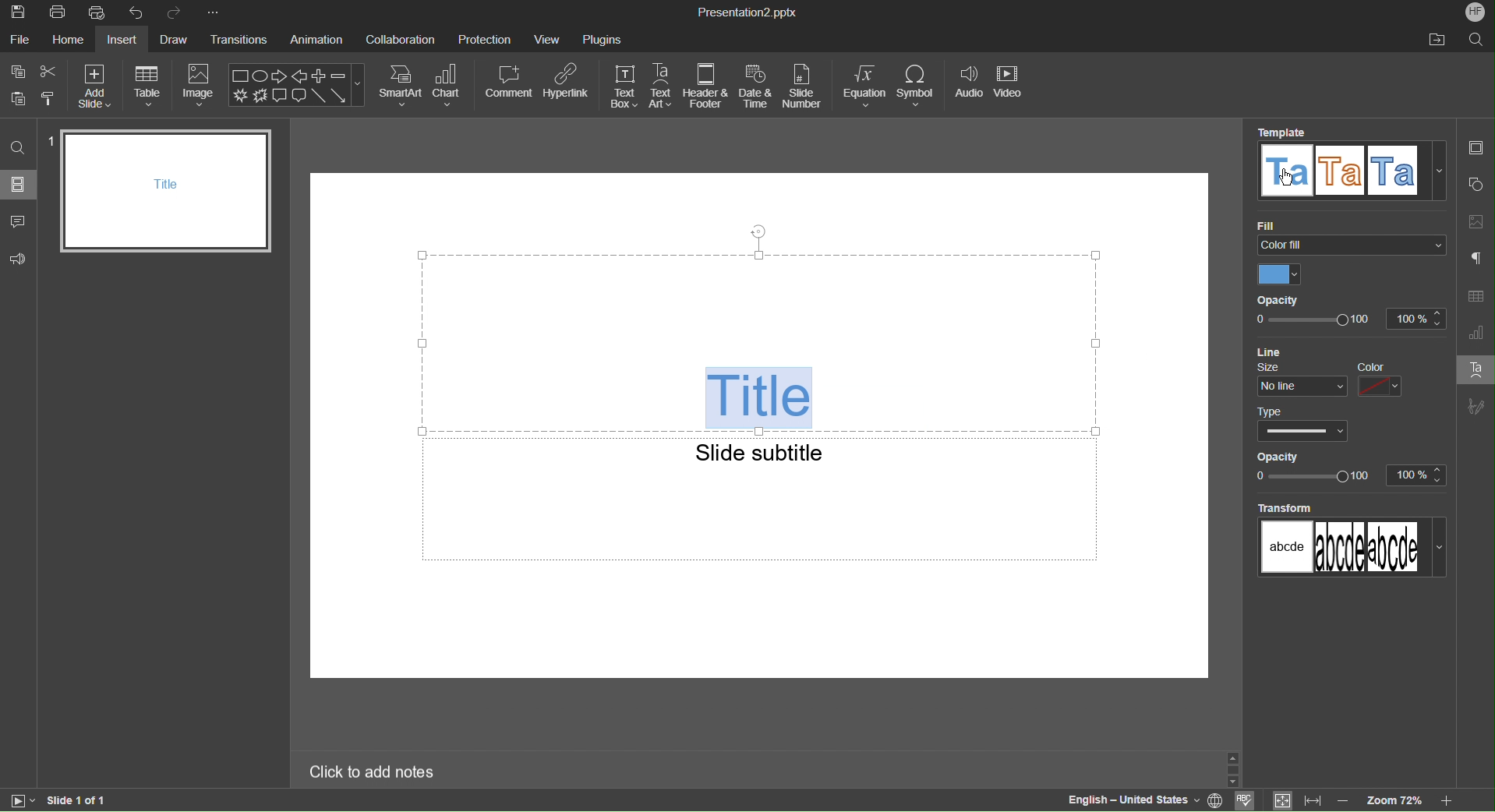  Describe the element at coordinates (147, 85) in the screenshot. I see `Table` at that location.